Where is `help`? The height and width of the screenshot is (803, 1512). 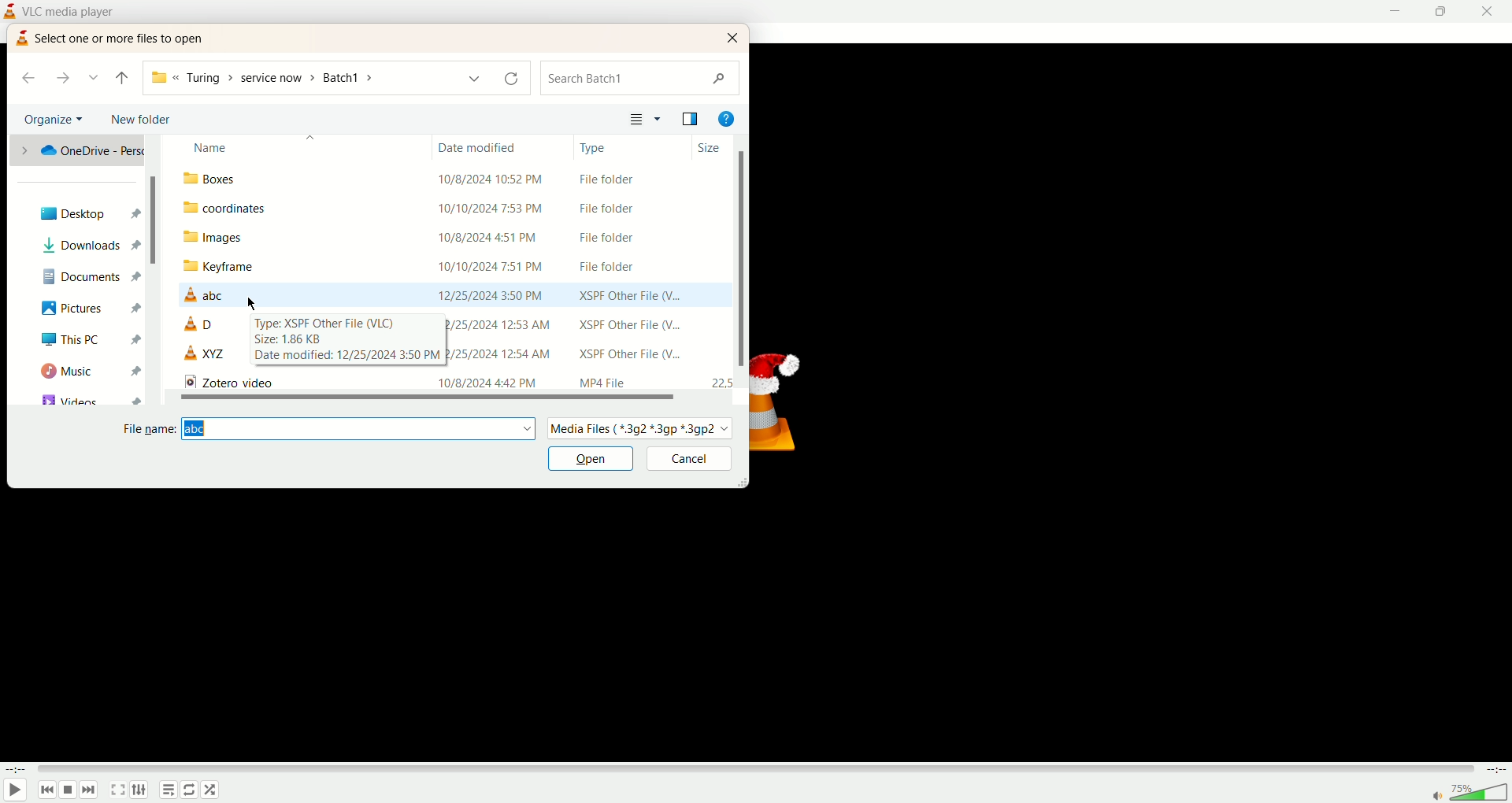
help is located at coordinates (727, 118).